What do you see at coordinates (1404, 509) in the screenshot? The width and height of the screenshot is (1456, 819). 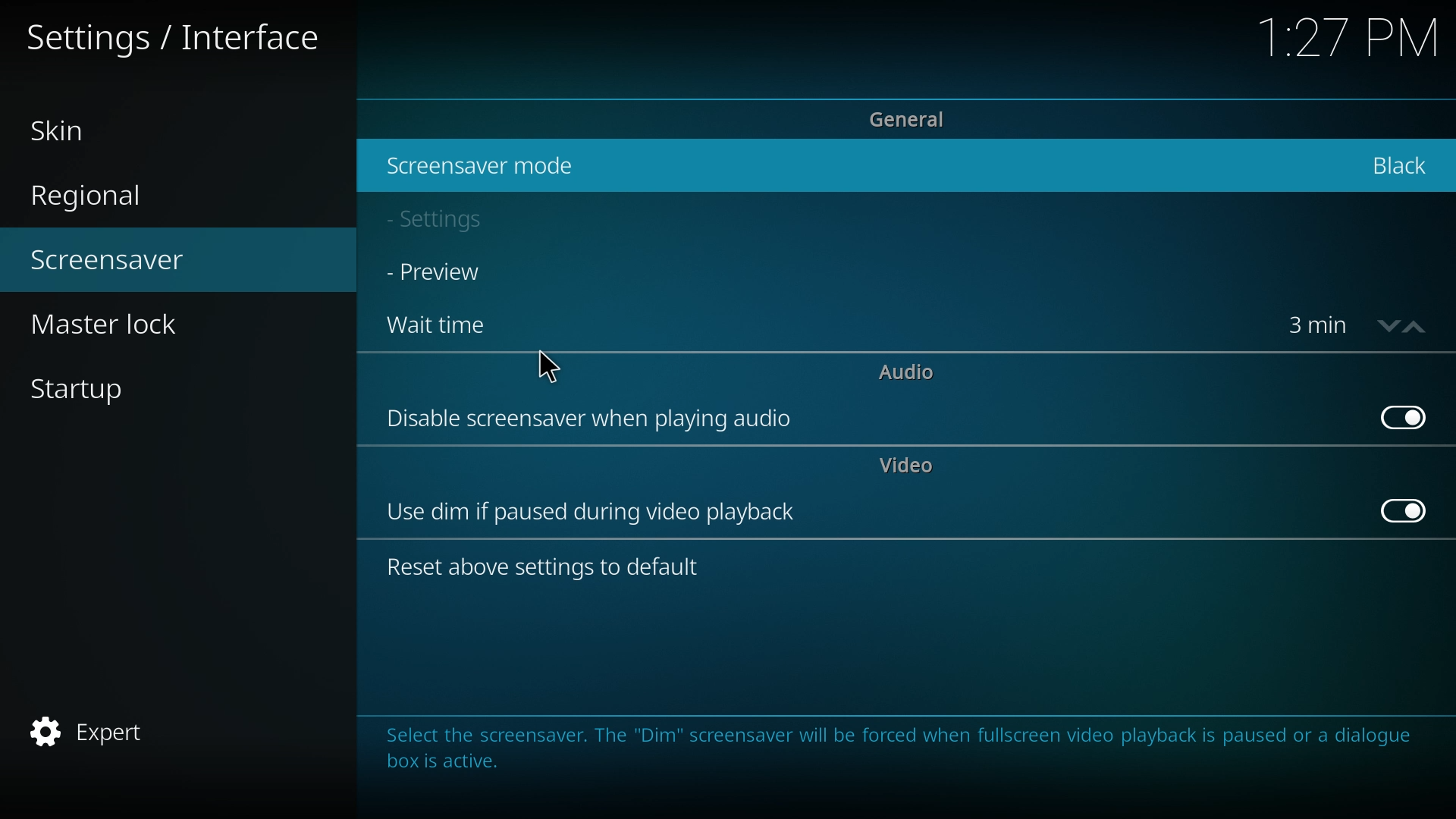 I see `off` at bounding box center [1404, 509].